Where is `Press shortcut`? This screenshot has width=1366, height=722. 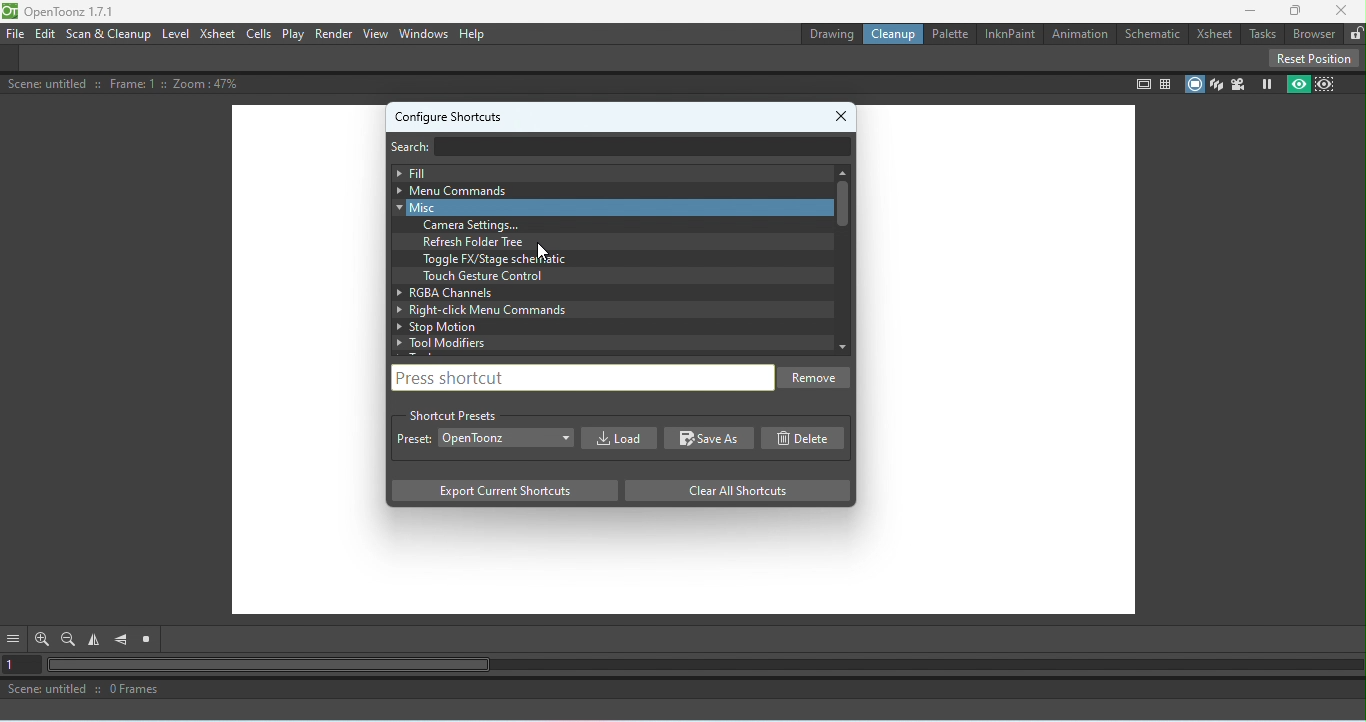
Press shortcut is located at coordinates (580, 376).